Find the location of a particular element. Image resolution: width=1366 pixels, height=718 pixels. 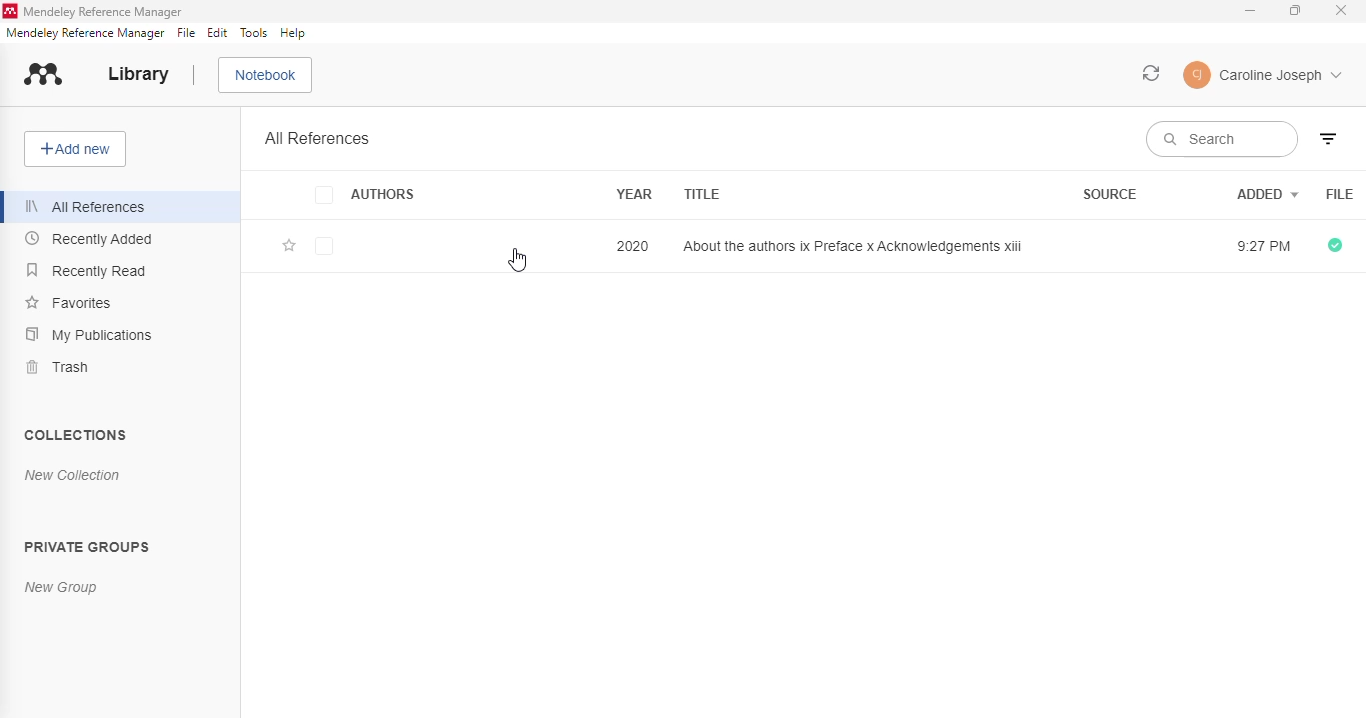

sync is located at coordinates (1152, 73).